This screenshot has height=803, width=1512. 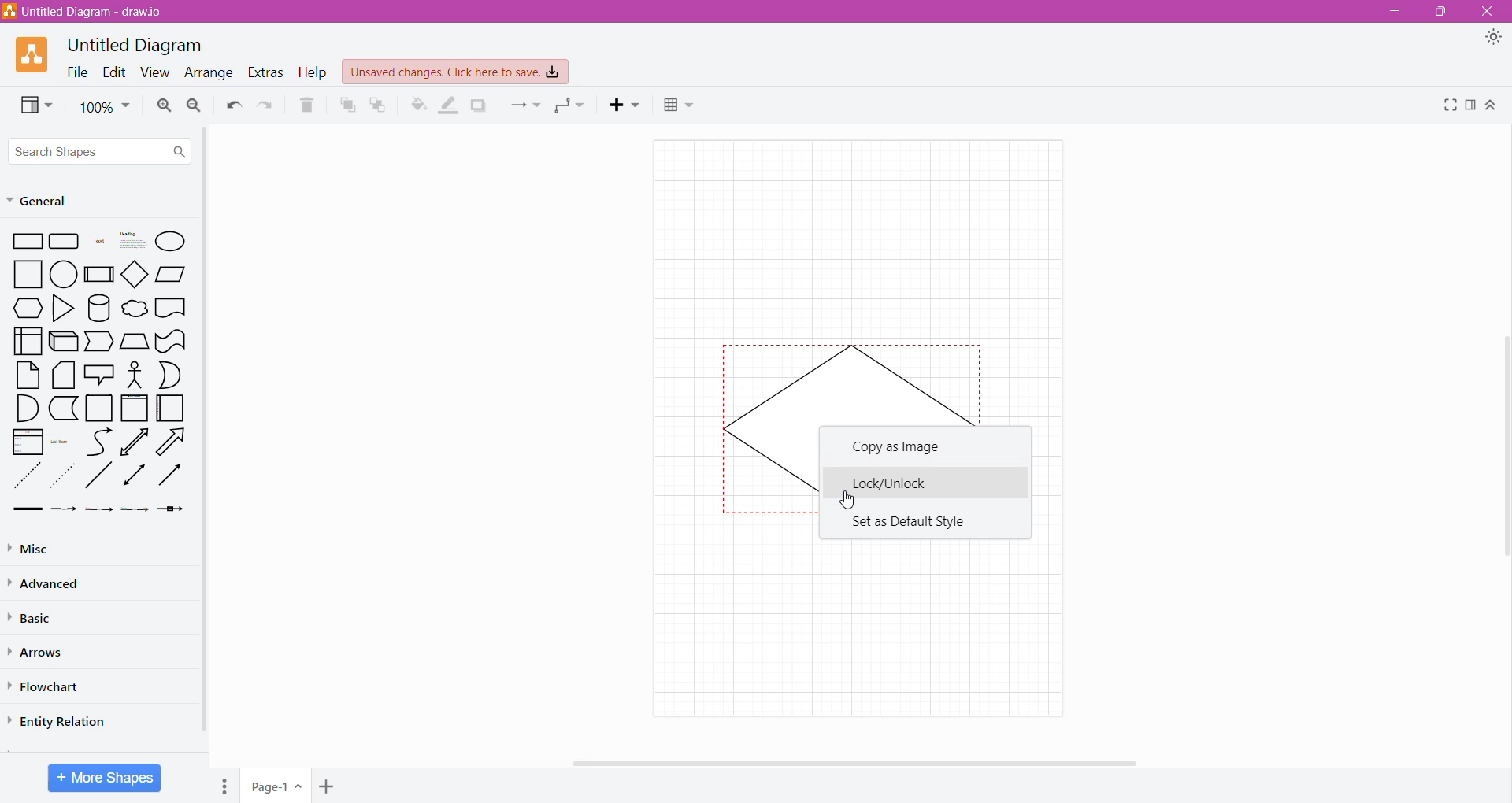 I want to click on Extras, so click(x=265, y=72).